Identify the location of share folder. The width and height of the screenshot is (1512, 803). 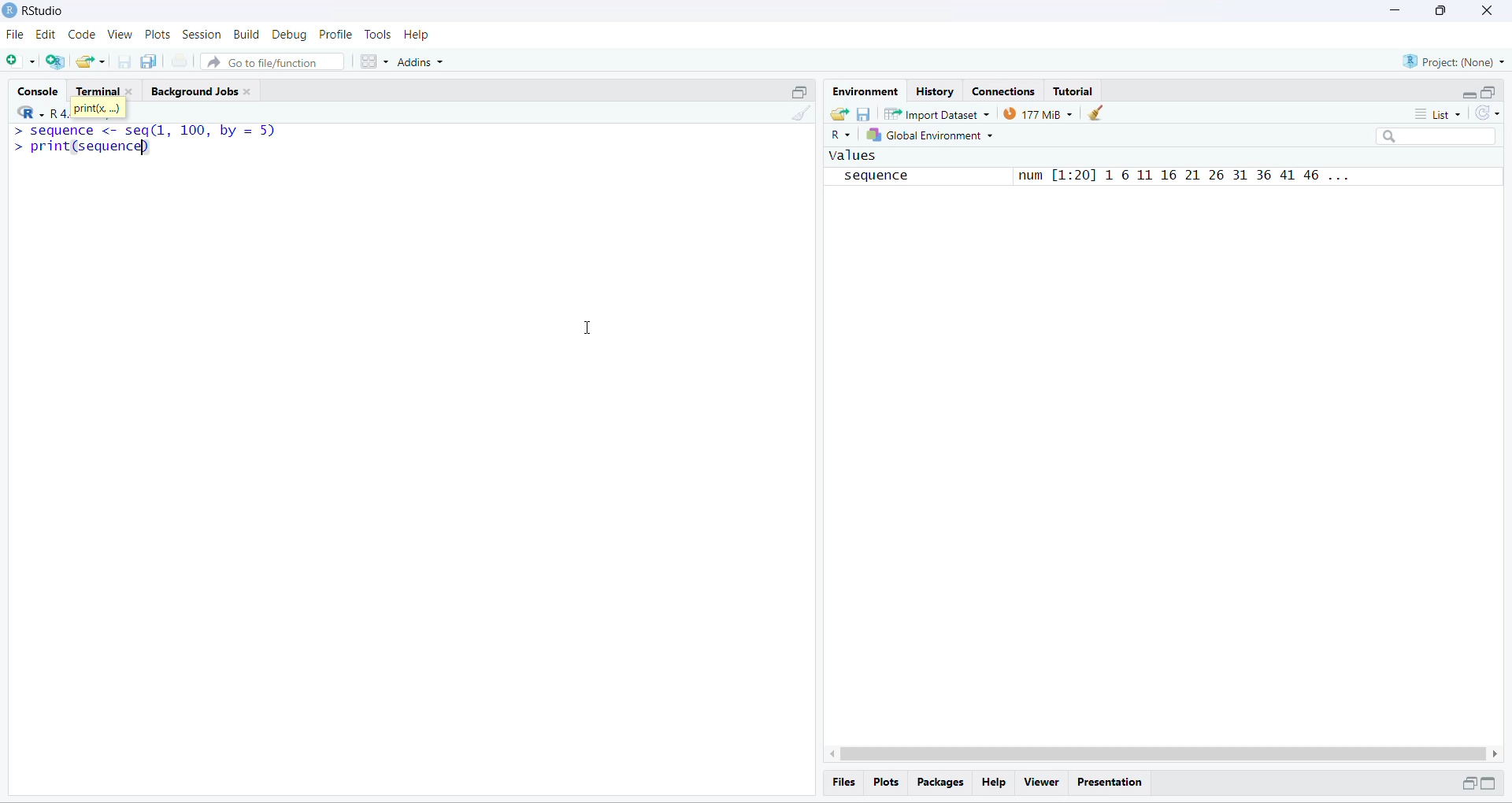
(839, 115).